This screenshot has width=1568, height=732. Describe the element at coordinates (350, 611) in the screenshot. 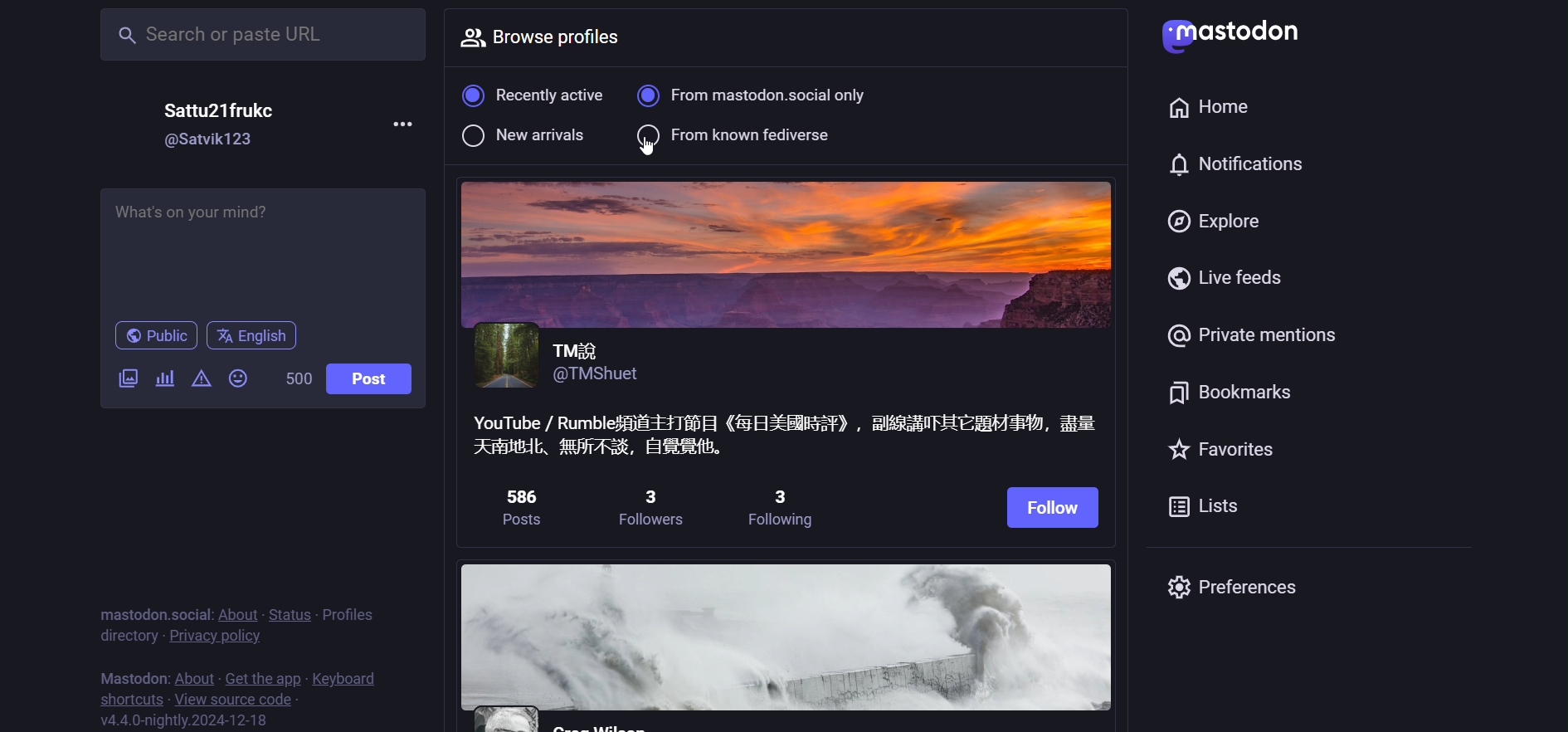

I see `profile` at that location.